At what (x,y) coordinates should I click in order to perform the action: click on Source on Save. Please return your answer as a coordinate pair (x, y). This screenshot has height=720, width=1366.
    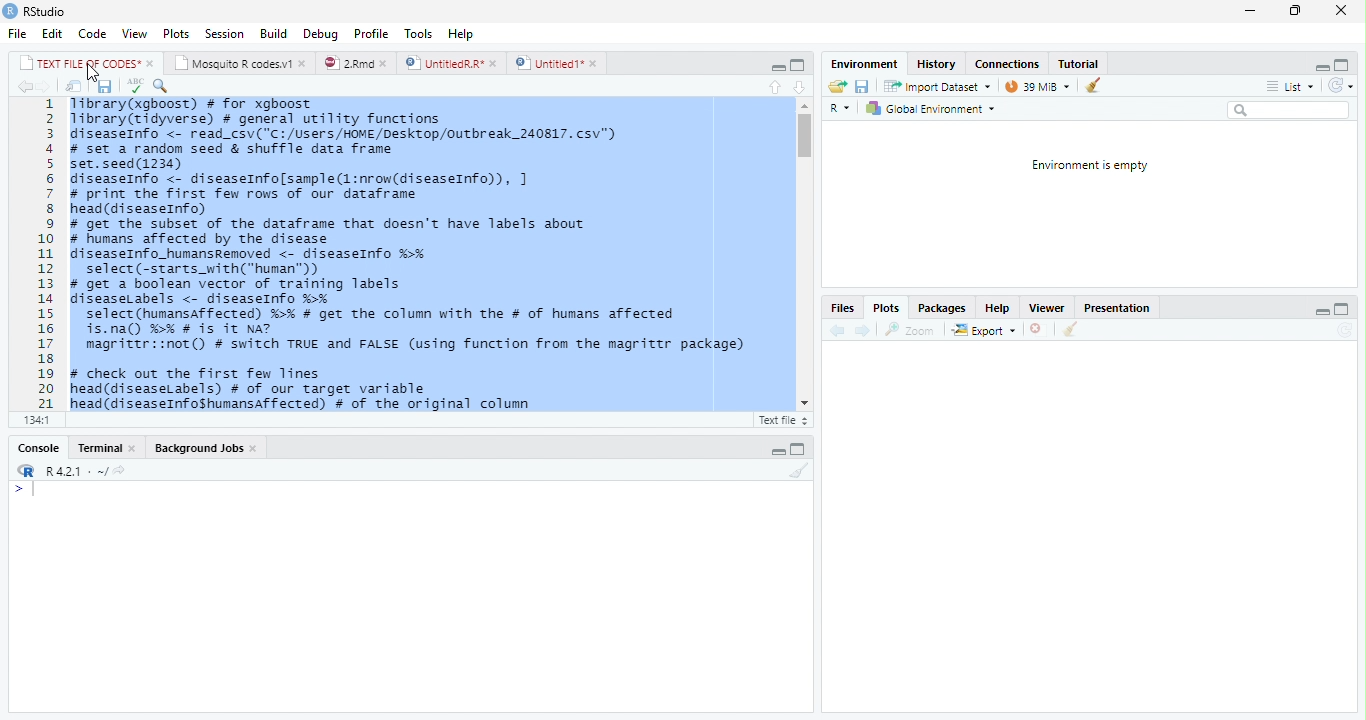
    Looking at the image, I should click on (164, 87).